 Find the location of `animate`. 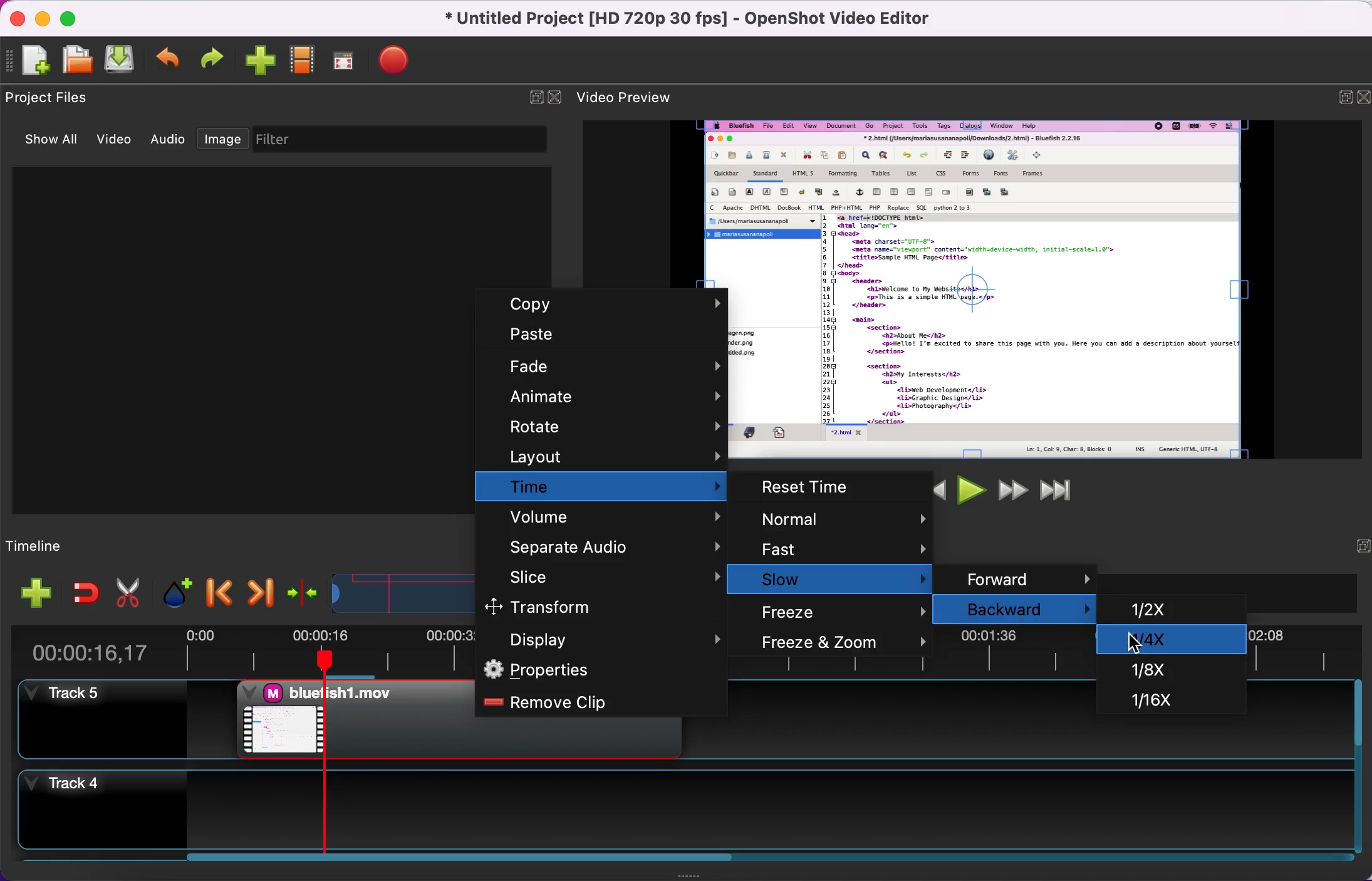

animate is located at coordinates (598, 396).